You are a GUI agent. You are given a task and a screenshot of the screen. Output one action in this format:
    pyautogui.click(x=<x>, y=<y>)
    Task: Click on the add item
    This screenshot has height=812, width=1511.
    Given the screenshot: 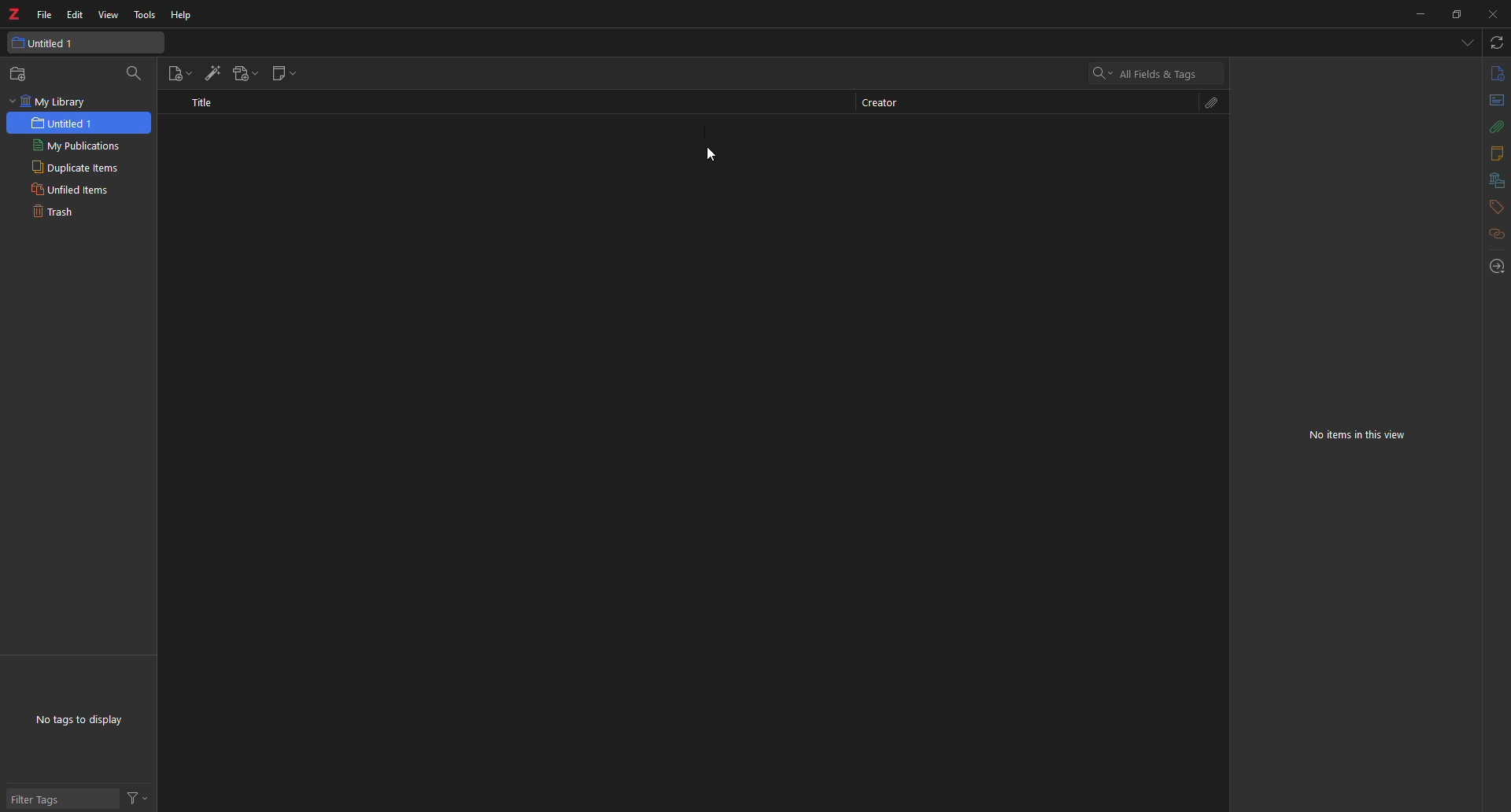 What is the action you would take?
    pyautogui.click(x=212, y=72)
    